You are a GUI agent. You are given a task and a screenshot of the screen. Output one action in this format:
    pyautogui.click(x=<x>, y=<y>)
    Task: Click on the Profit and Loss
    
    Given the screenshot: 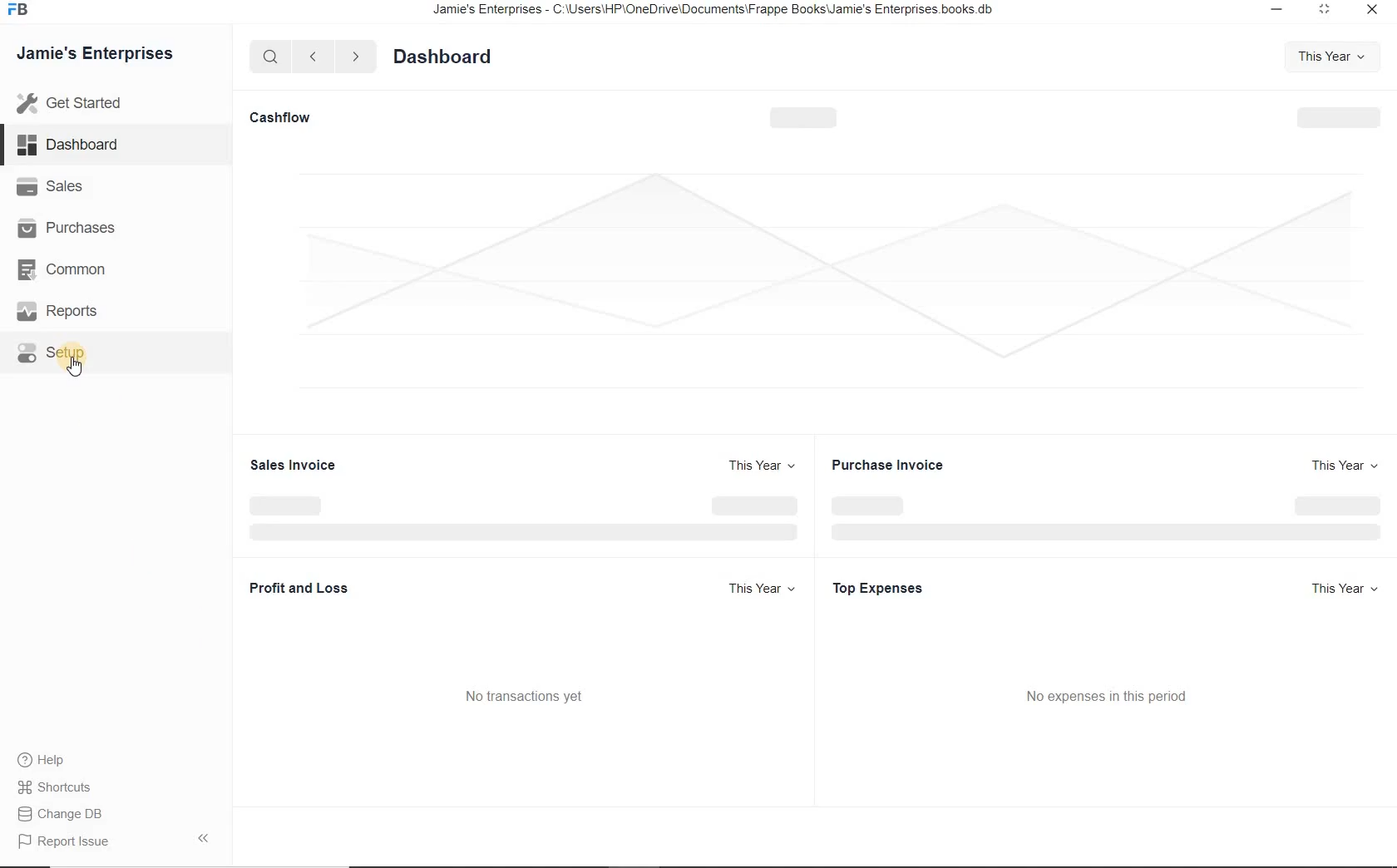 What is the action you would take?
    pyautogui.click(x=313, y=590)
    